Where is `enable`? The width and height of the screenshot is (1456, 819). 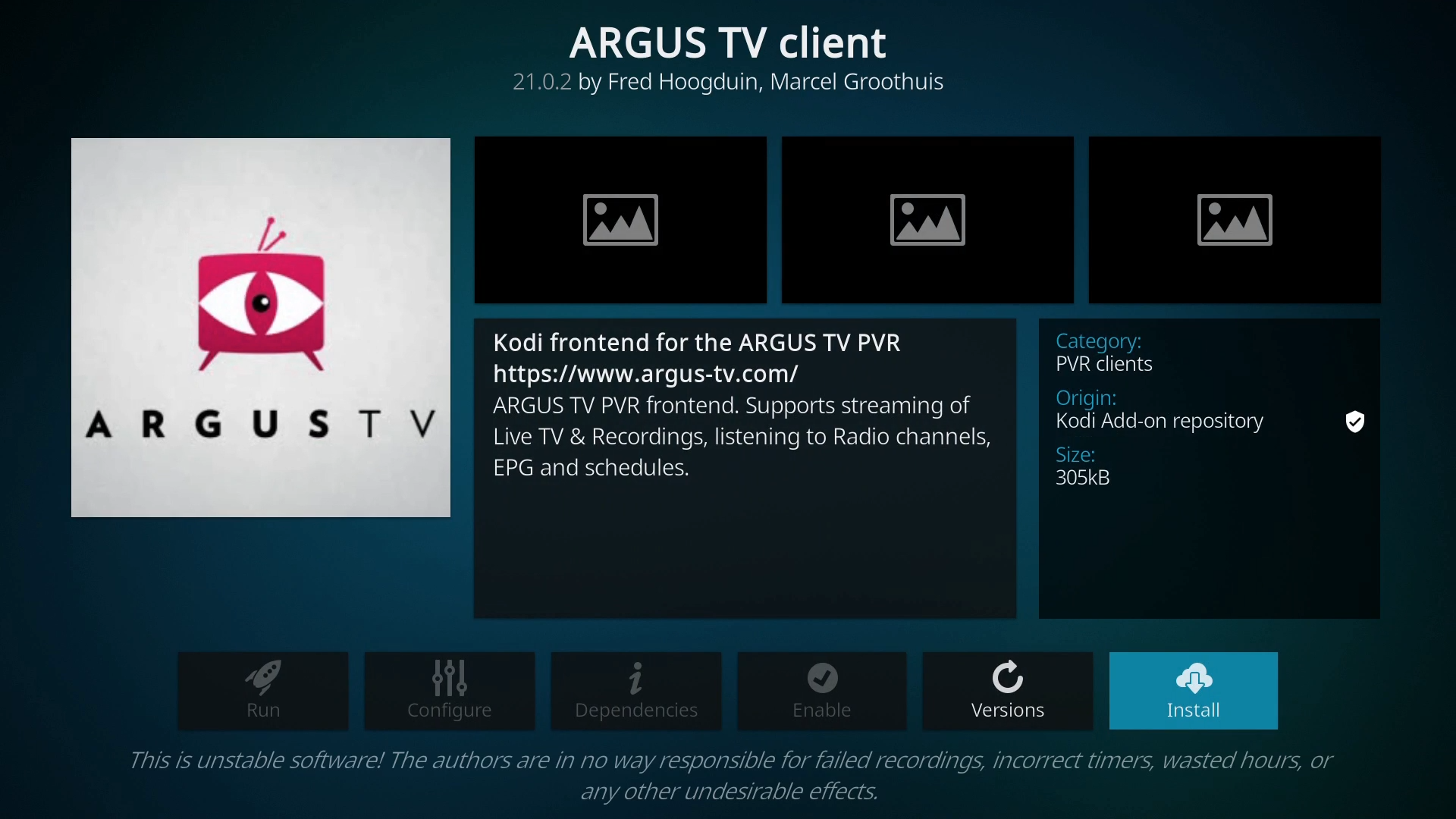 enable is located at coordinates (820, 691).